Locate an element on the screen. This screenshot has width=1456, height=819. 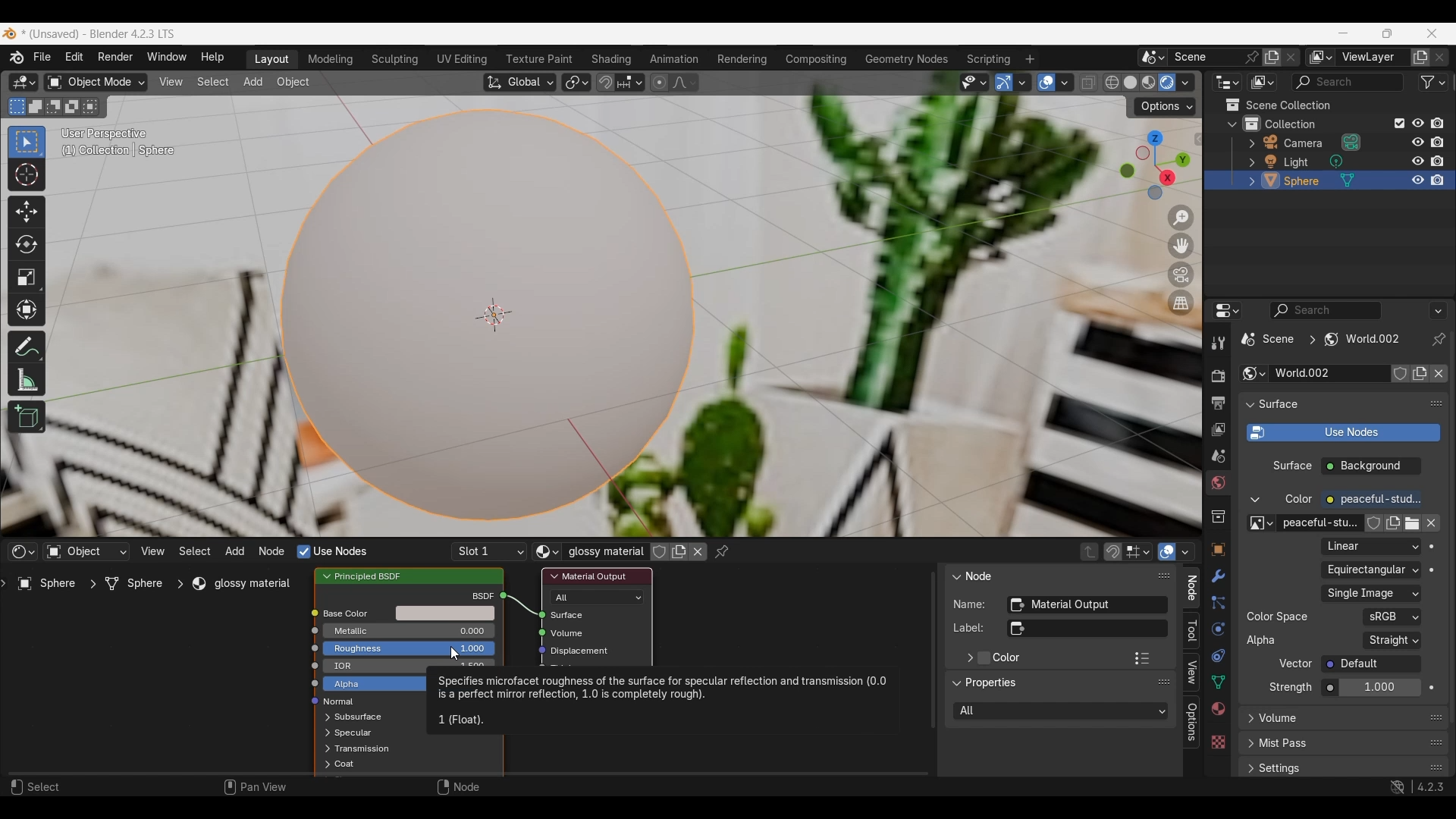
Amount of roughness in base is located at coordinates (409, 648).